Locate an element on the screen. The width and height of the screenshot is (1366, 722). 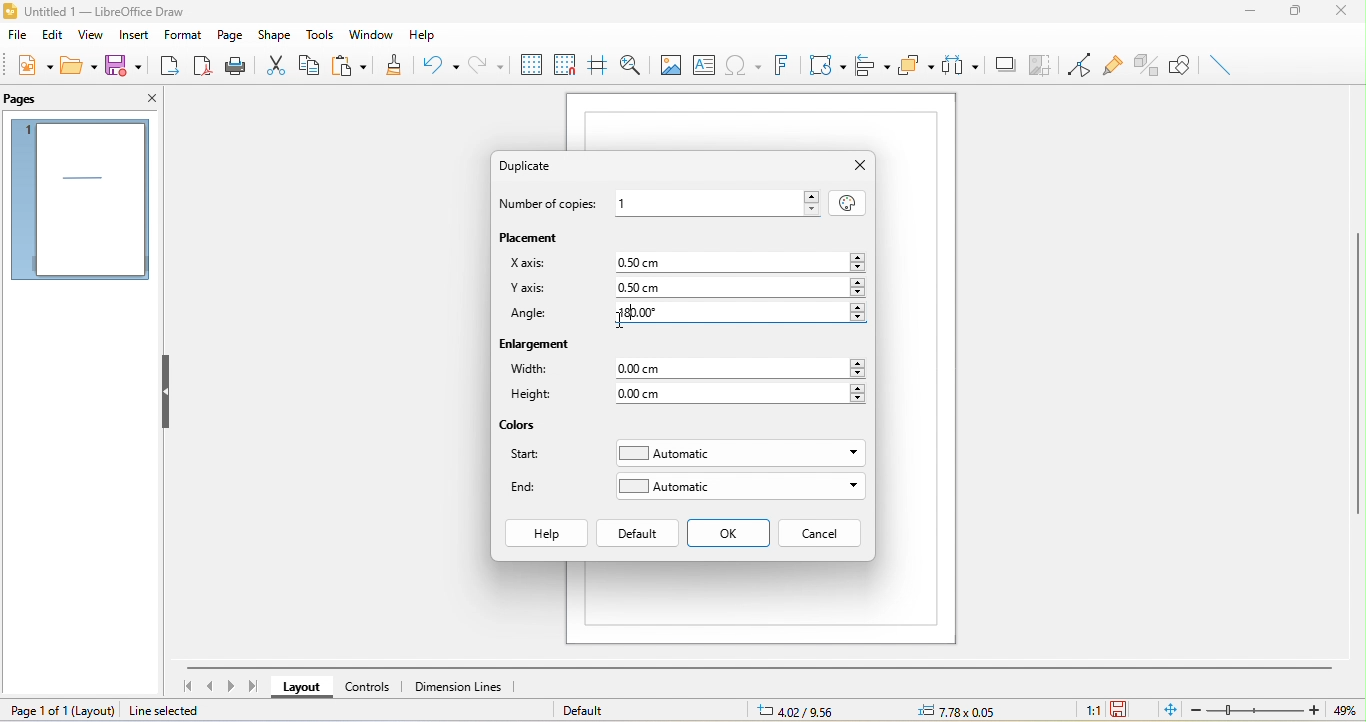
number of copies is located at coordinates (552, 205).